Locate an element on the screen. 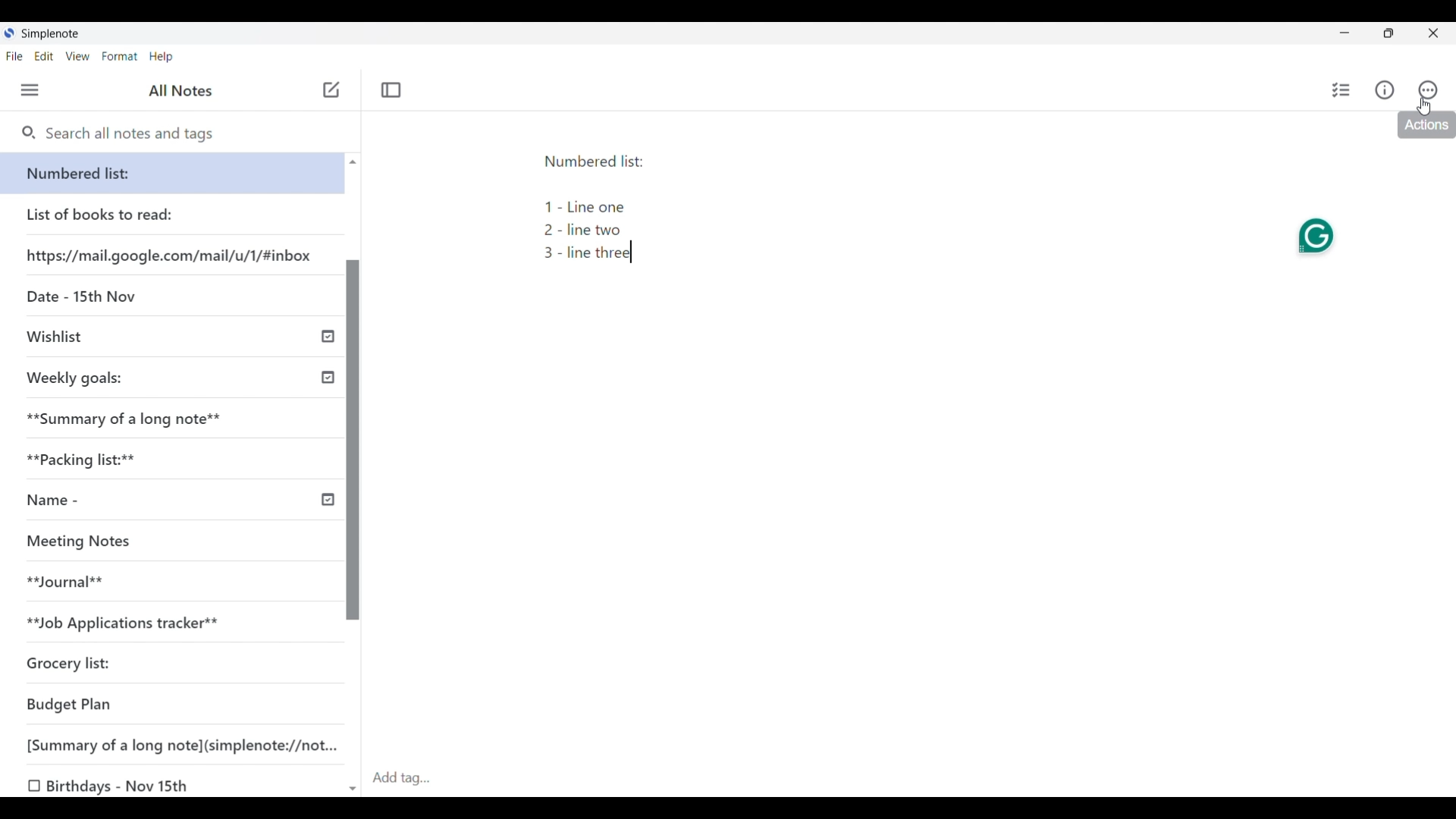 This screenshot has height=819, width=1456. Wishlist is located at coordinates (64, 340).